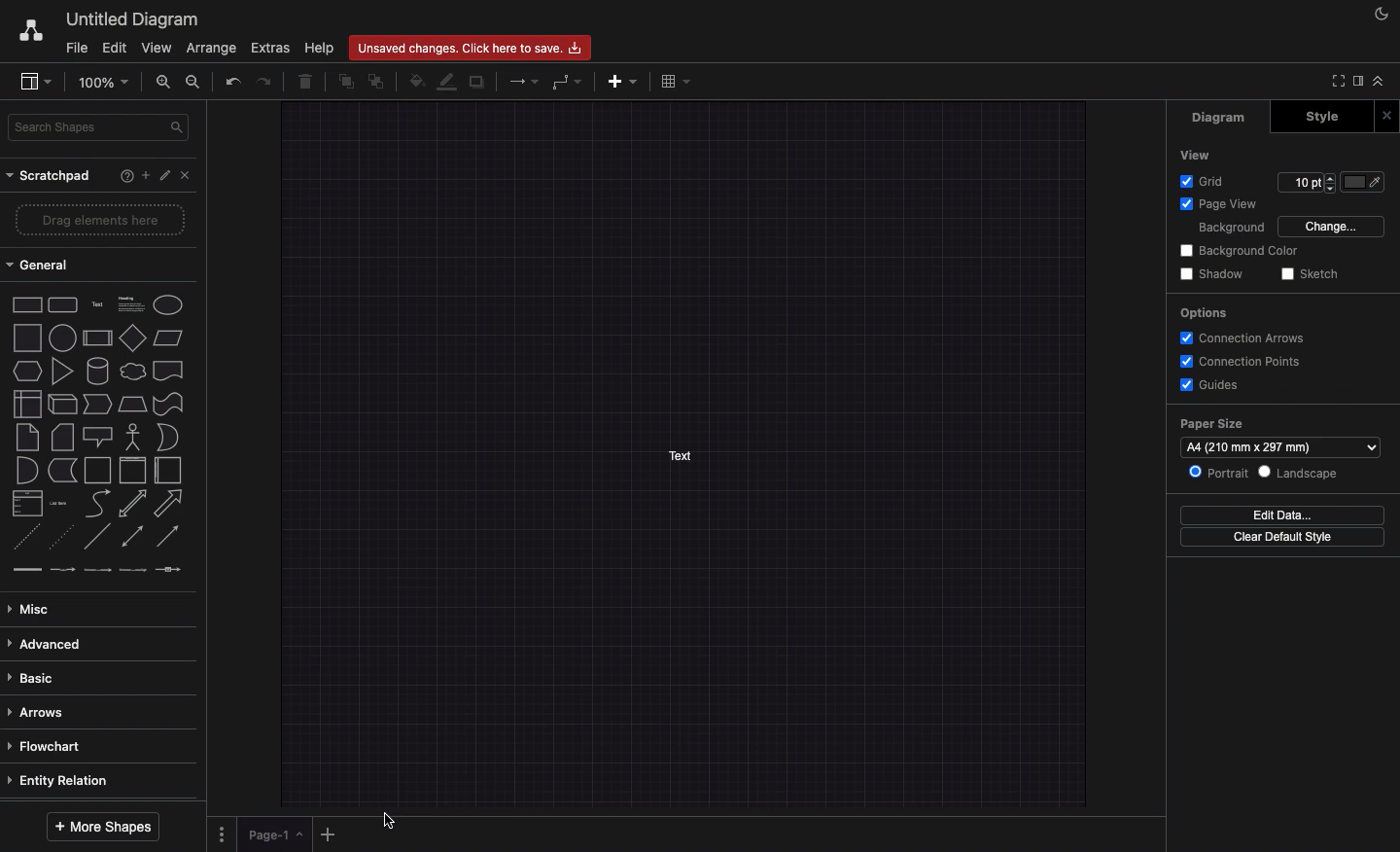 This screenshot has width=1400, height=852. What do you see at coordinates (59, 780) in the screenshot?
I see `Entity relation` at bounding box center [59, 780].